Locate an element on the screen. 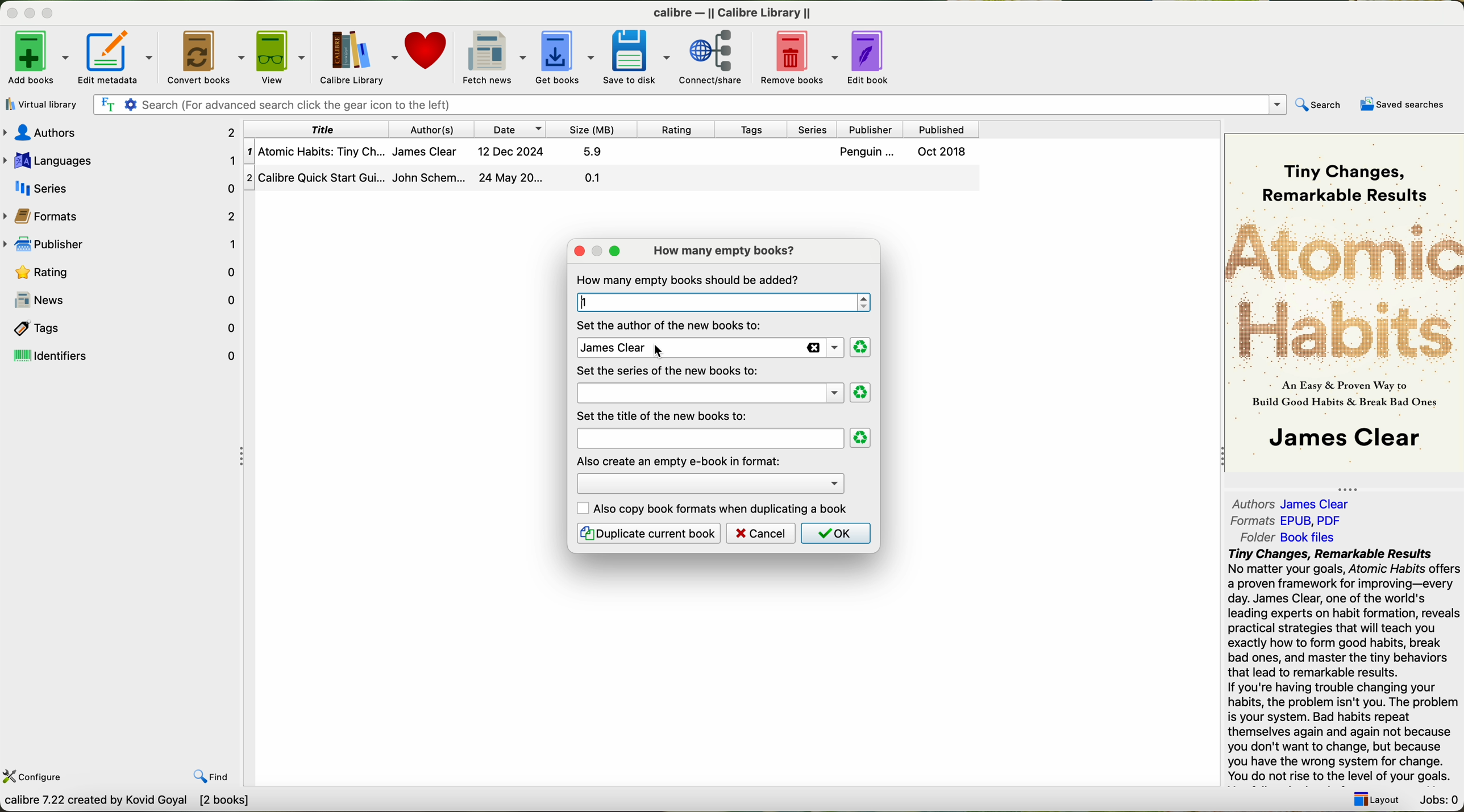 Image resolution: width=1464 pixels, height=812 pixels. cursor is located at coordinates (651, 357).